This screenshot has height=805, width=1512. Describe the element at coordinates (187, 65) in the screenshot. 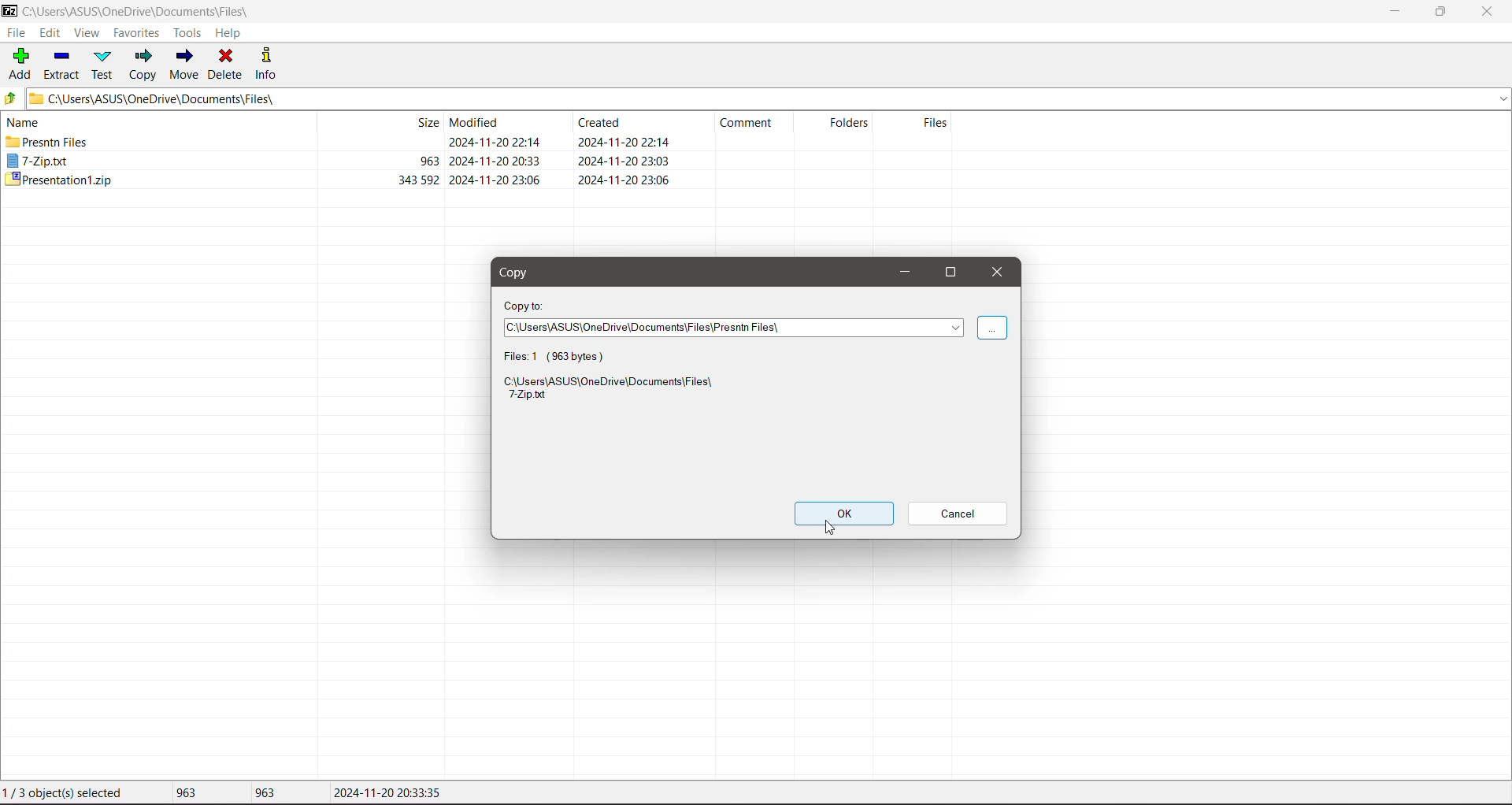

I see `Move` at that location.